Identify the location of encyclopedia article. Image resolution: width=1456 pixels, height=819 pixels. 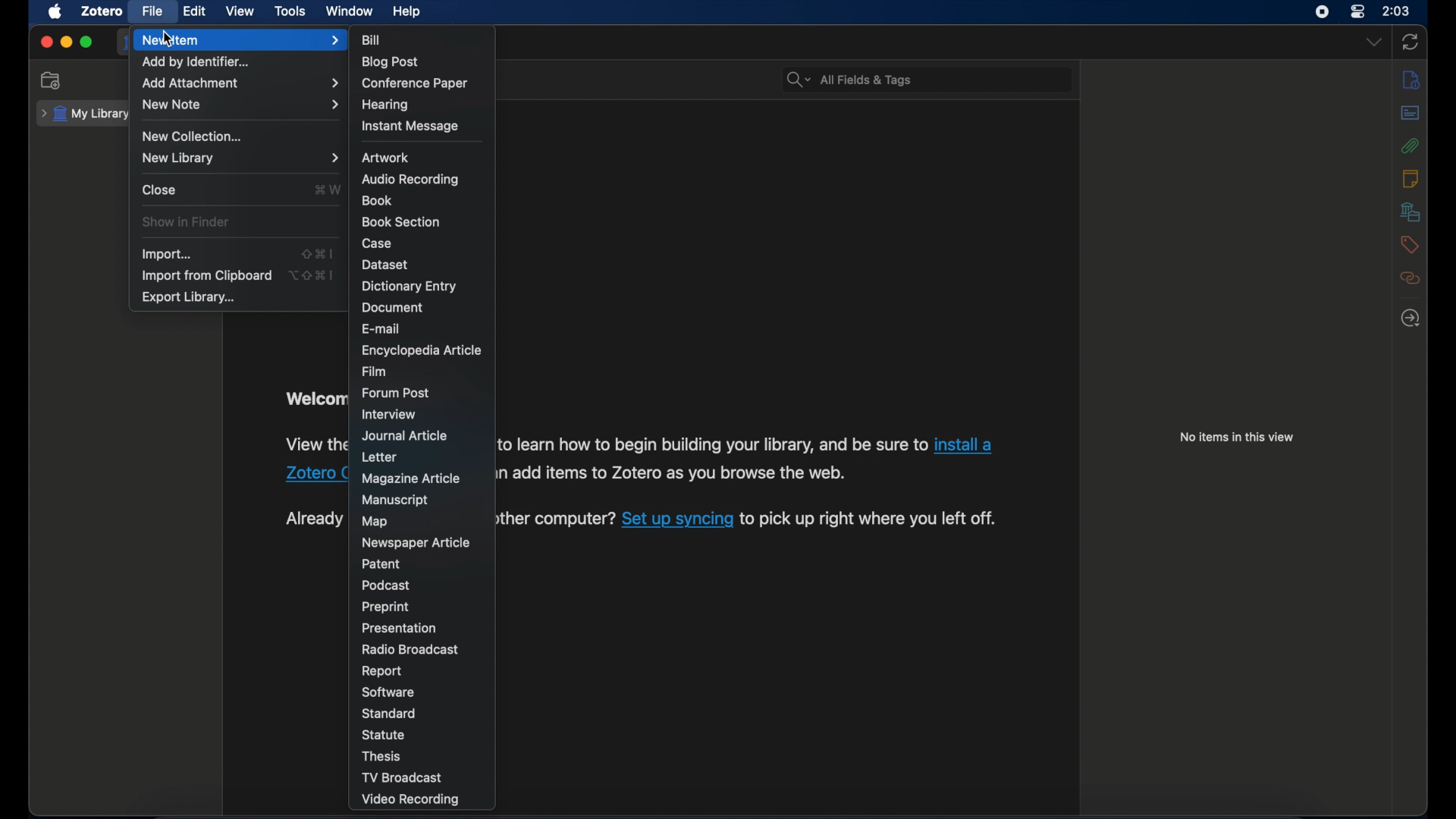
(420, 350).